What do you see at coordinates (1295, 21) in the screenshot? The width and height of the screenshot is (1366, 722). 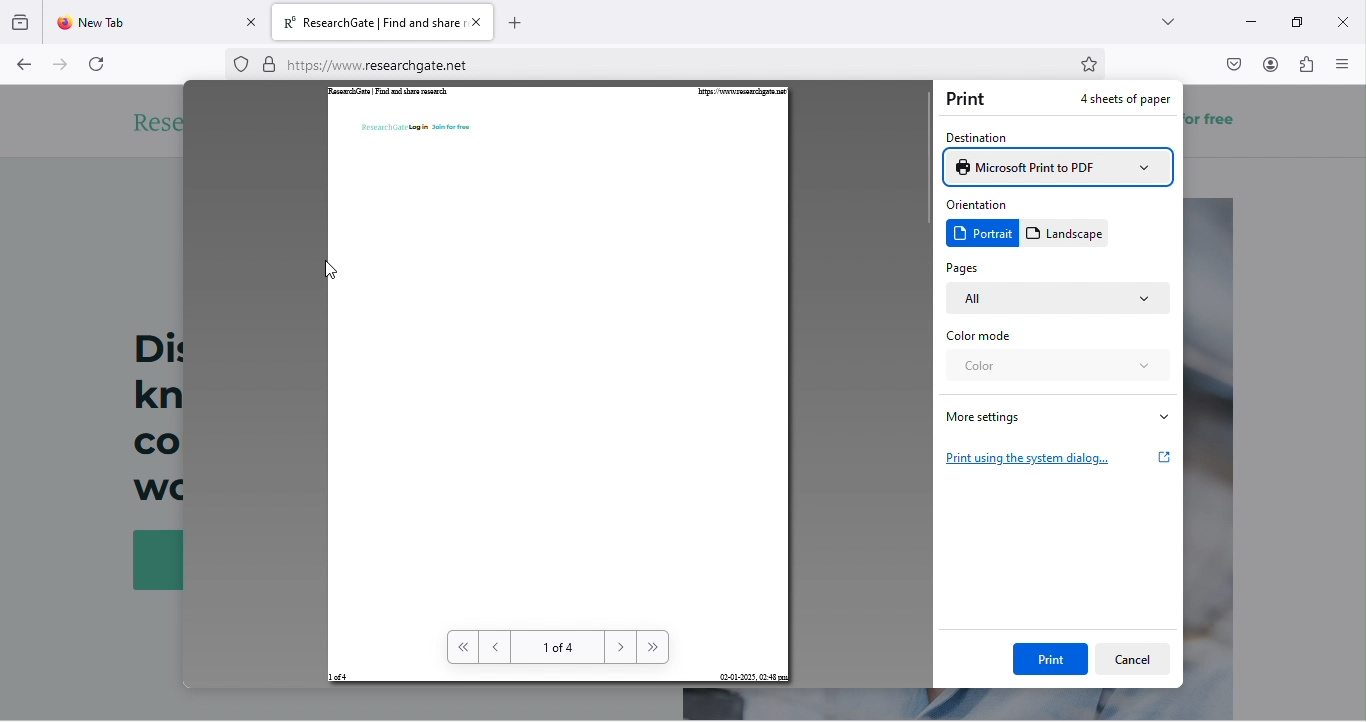 I see `maximize` at bounding box center [1295, 21].